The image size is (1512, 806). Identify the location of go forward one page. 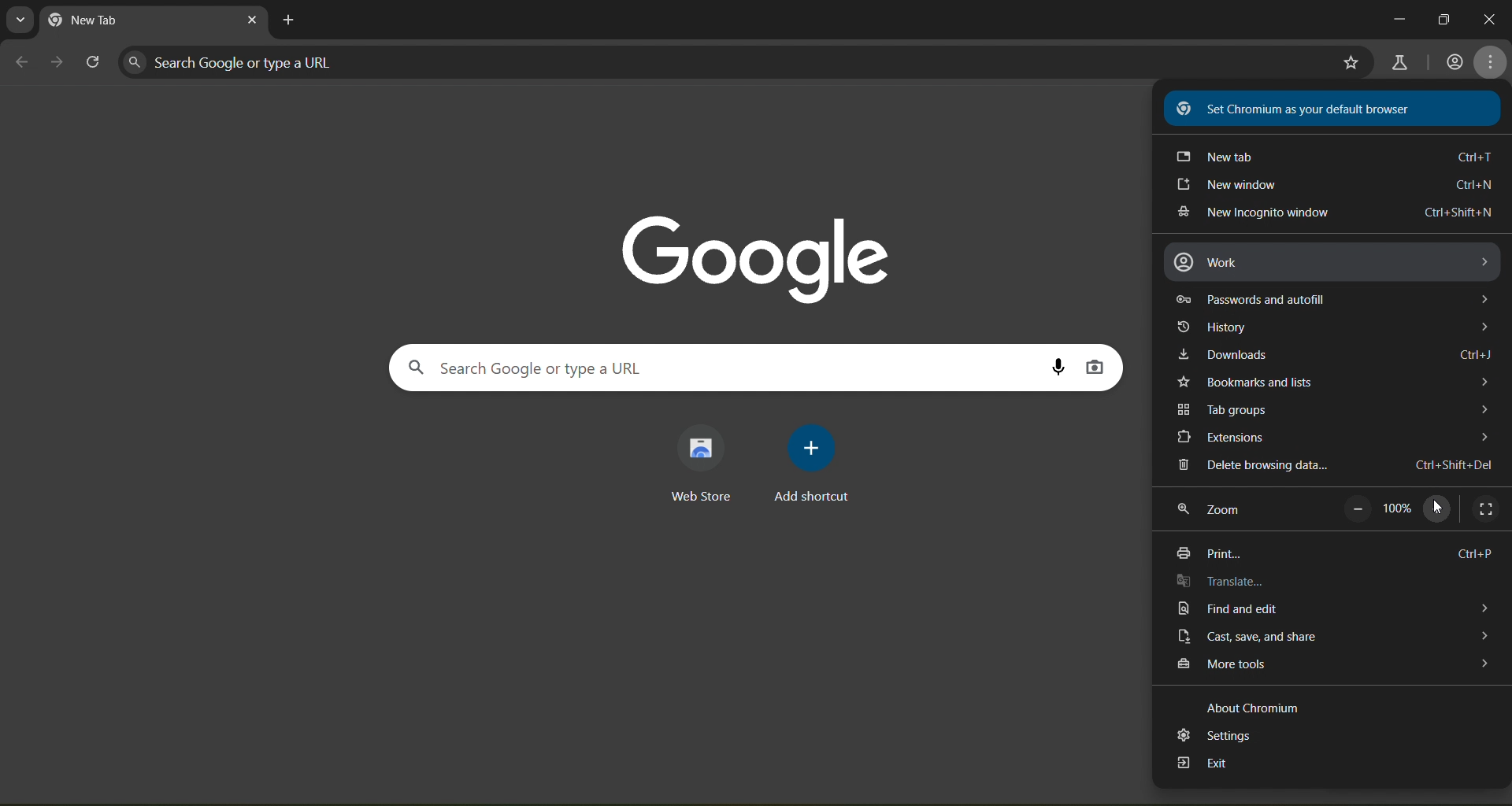
(57, 63).